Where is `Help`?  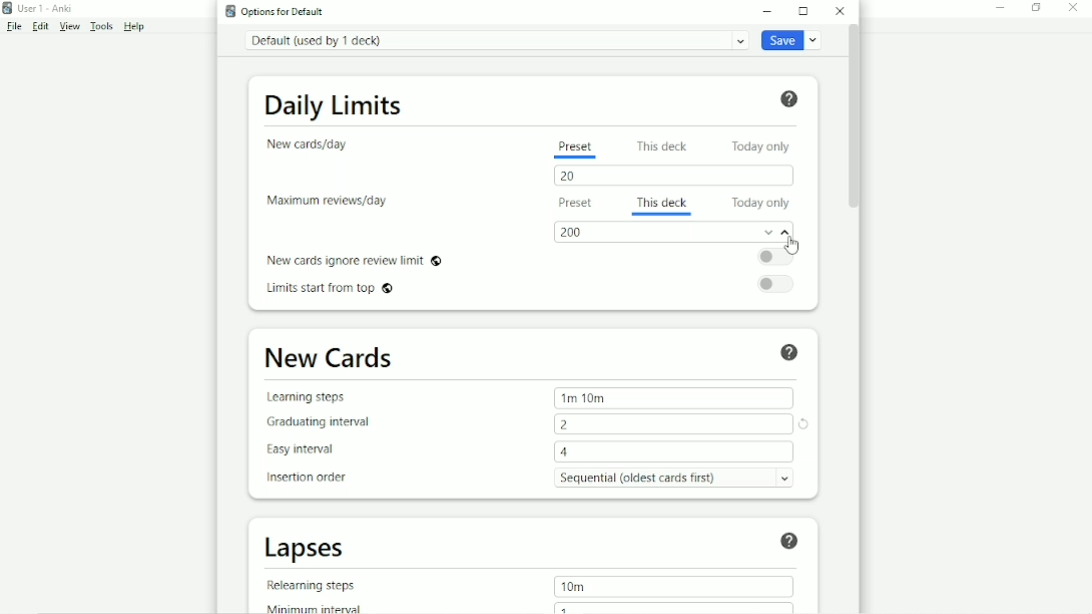 Help is located at coordinates (790, 351).